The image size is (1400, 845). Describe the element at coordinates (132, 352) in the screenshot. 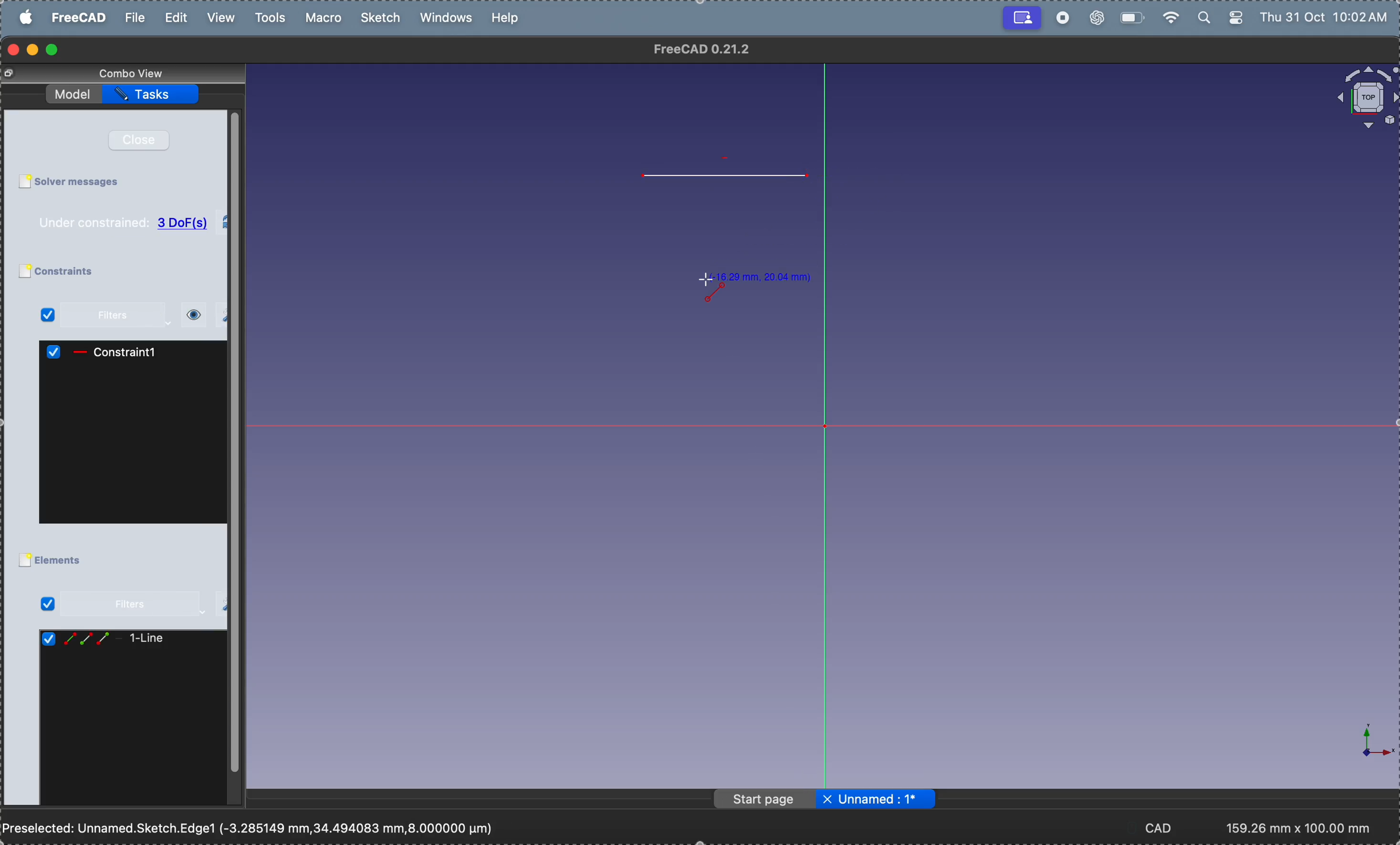

I see `constraint1` at that location.